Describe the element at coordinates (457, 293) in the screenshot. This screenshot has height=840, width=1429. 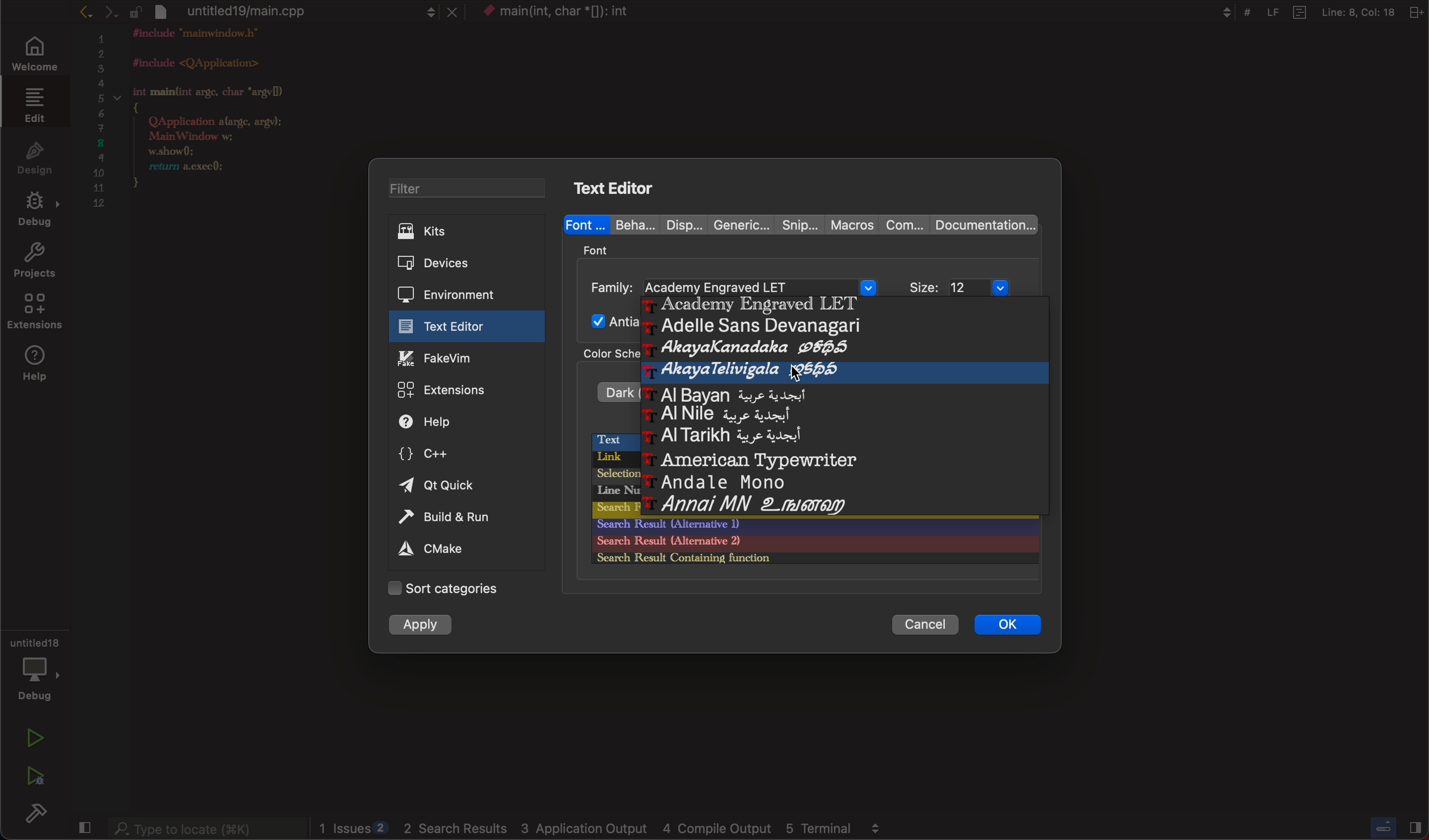
I see `environment` at that location.